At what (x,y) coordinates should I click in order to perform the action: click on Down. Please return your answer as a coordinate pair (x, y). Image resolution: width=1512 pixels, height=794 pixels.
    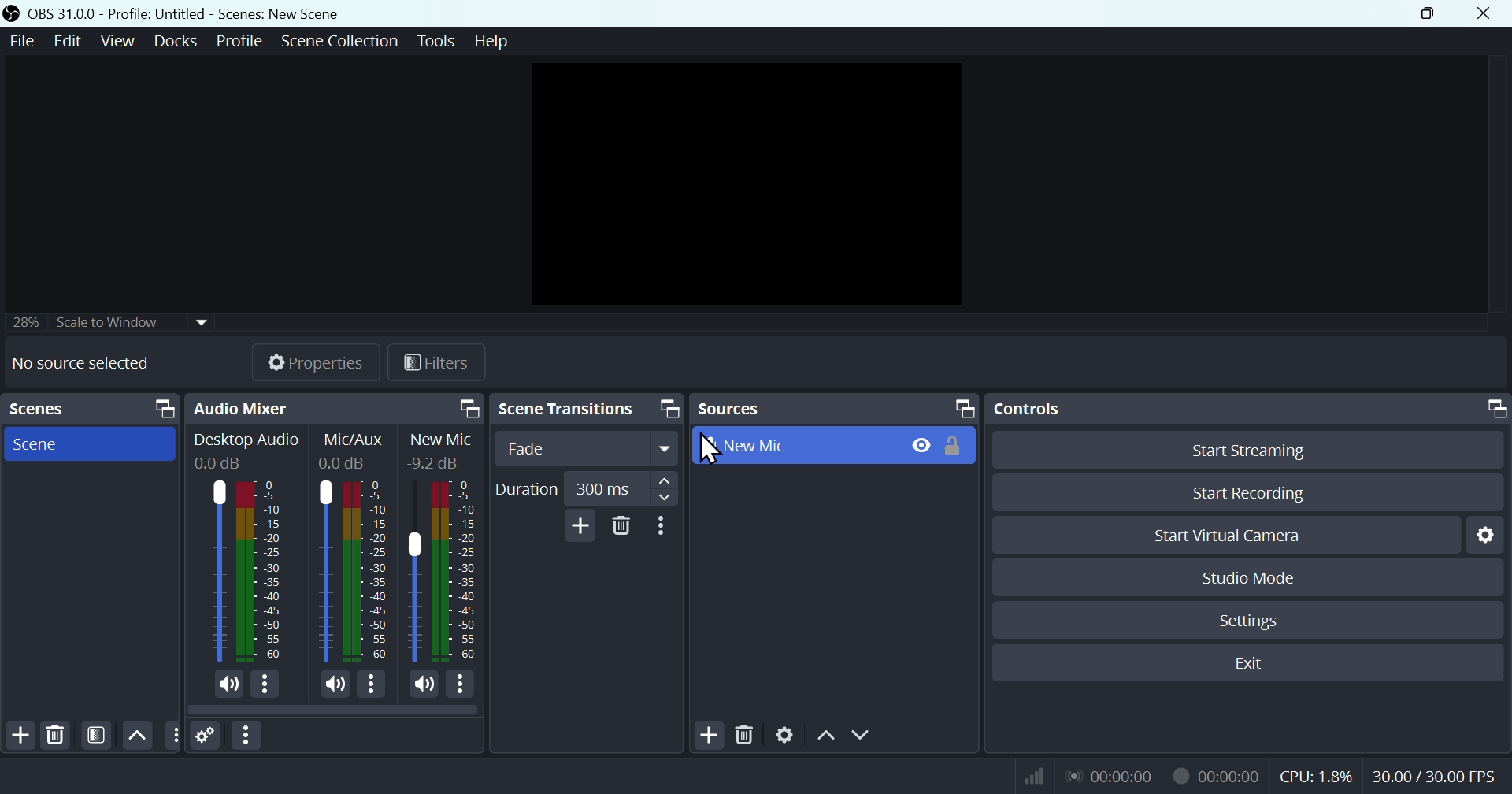
    Looking at the image, I should click on (865, 733).